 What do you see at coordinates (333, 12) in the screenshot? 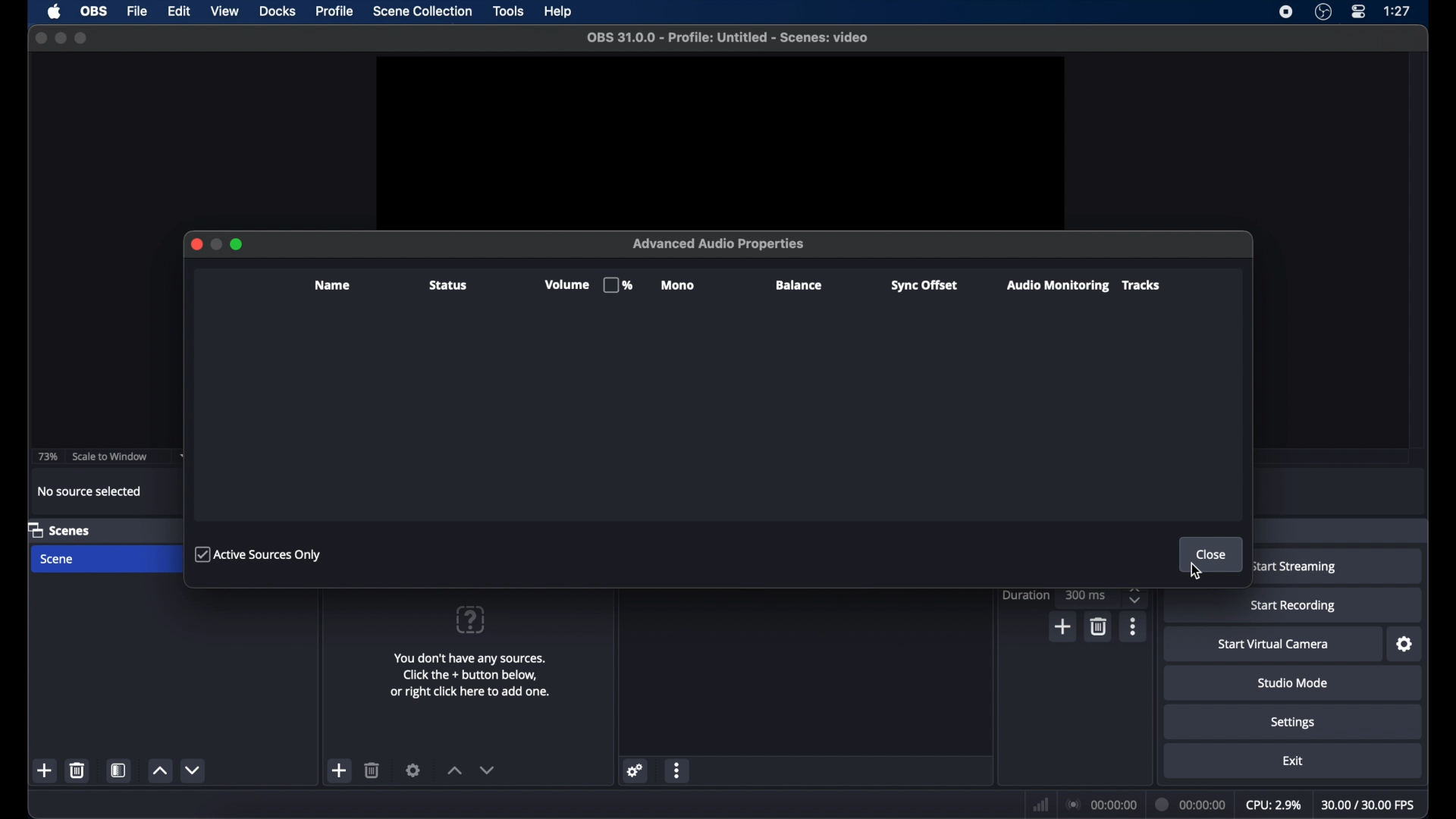
I see `profile` at bounding box center [333, 12].